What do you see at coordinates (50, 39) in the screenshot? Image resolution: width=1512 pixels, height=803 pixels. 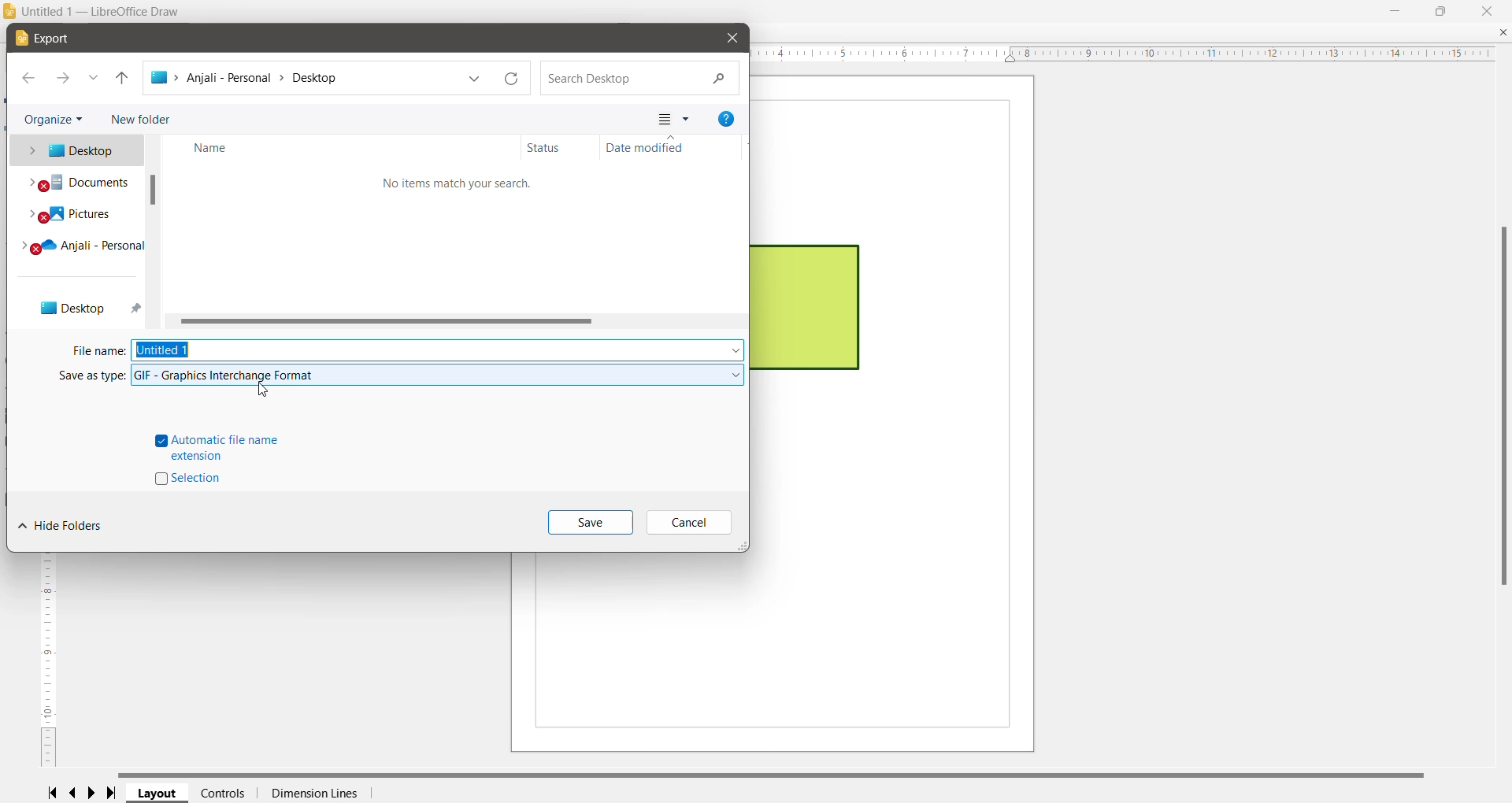 I see `Export` at bounding box center [50, 39].